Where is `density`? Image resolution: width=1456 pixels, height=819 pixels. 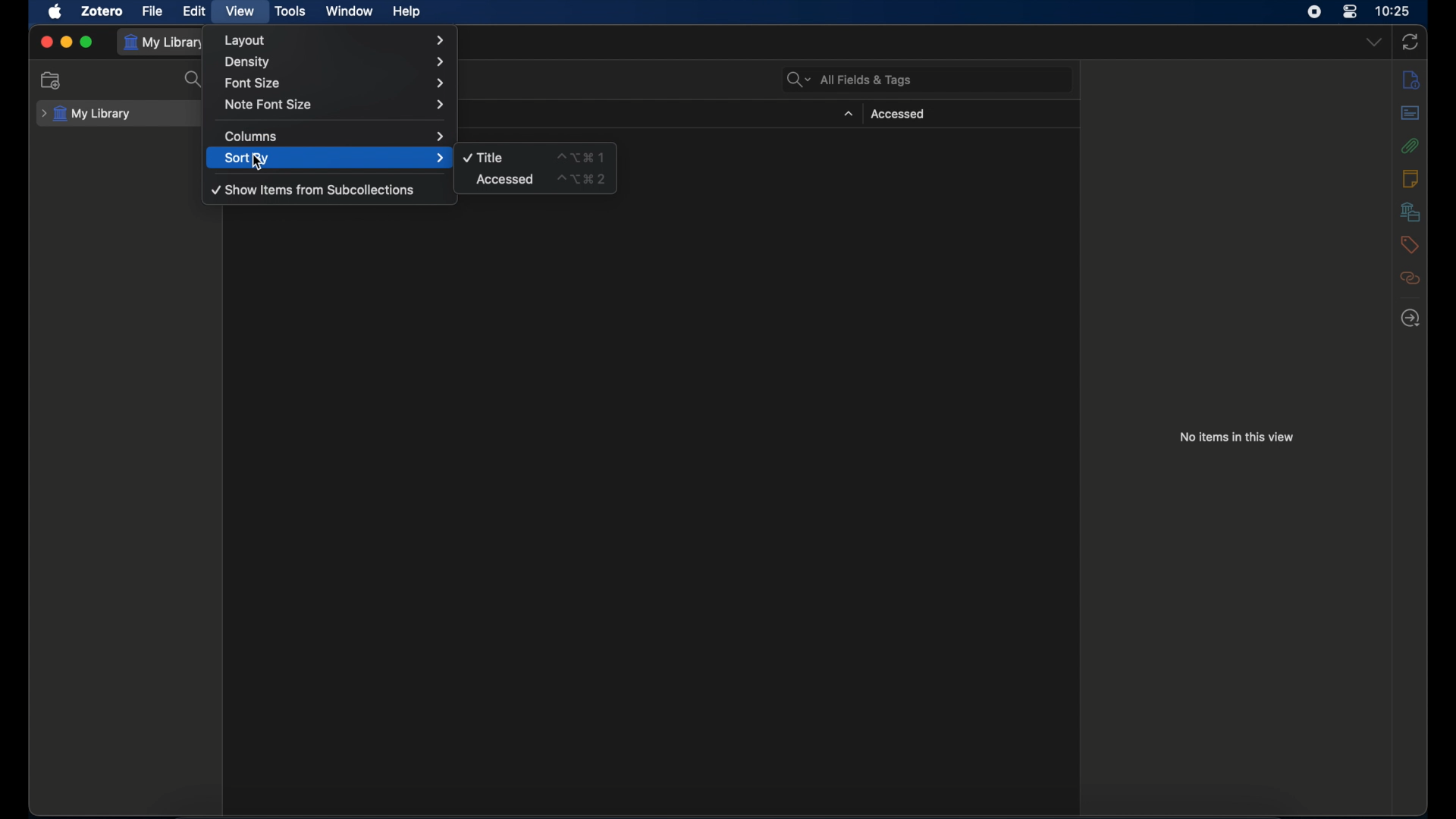 density is located at coordinates (337, 61).